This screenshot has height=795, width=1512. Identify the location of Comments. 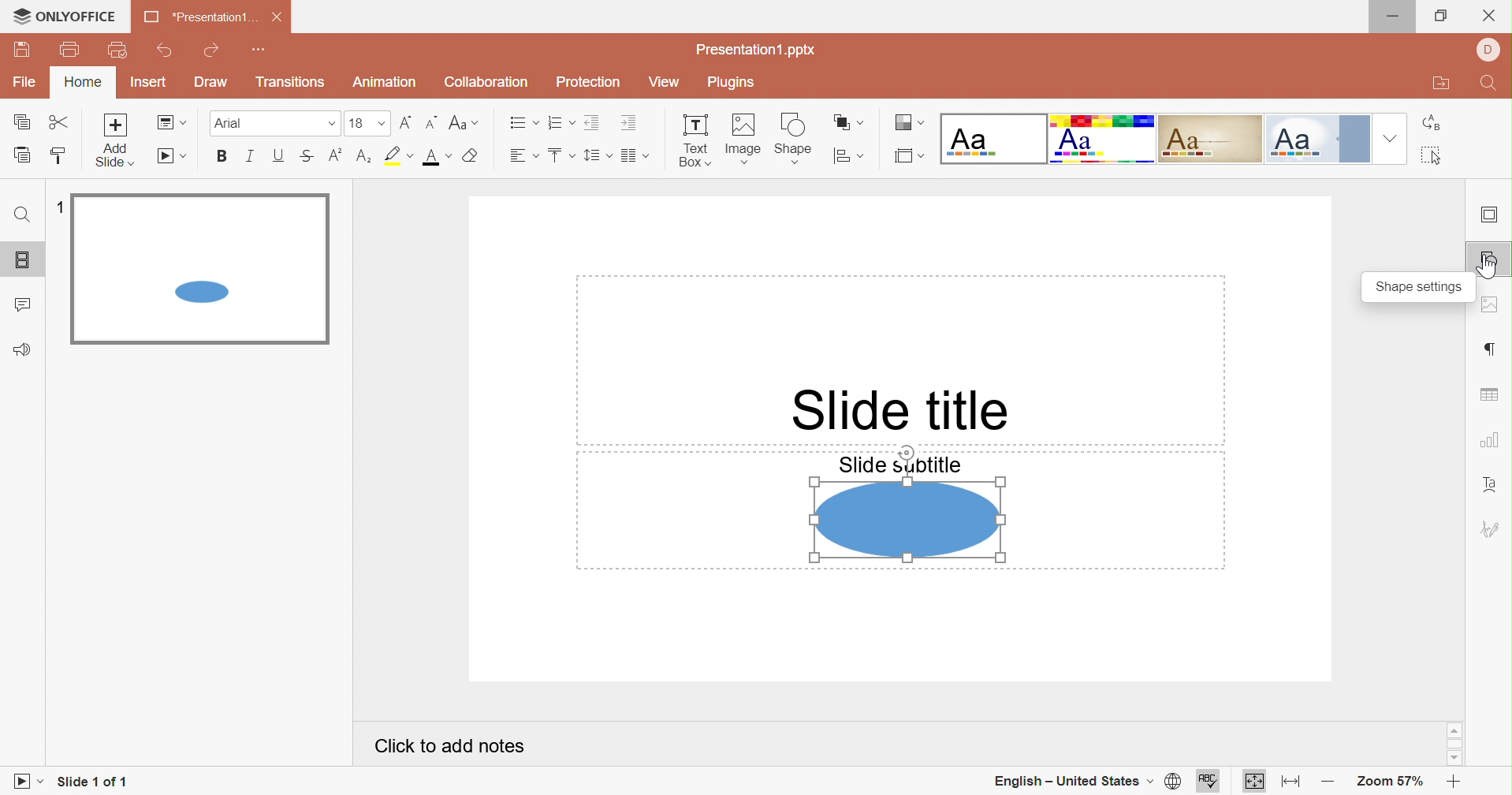
(24, 305).